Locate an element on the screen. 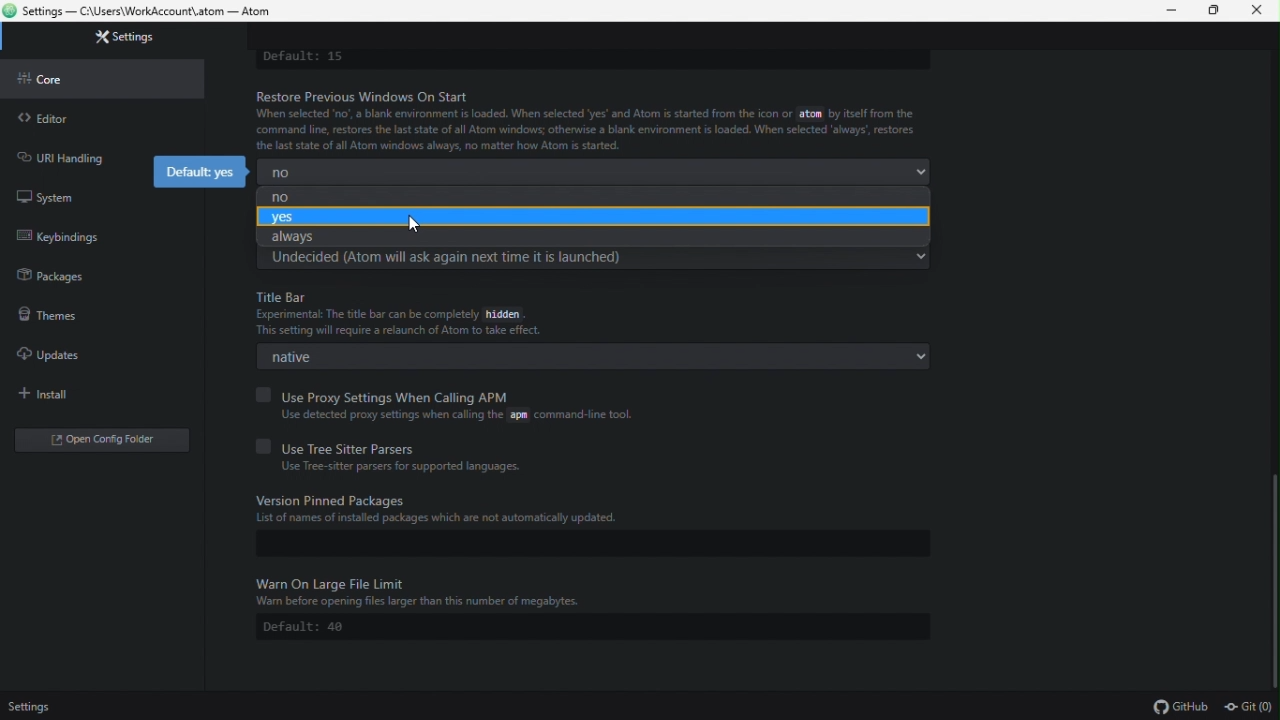 This screenshot has width=1280, height=720. restore is located at coordinates (1218, 11).